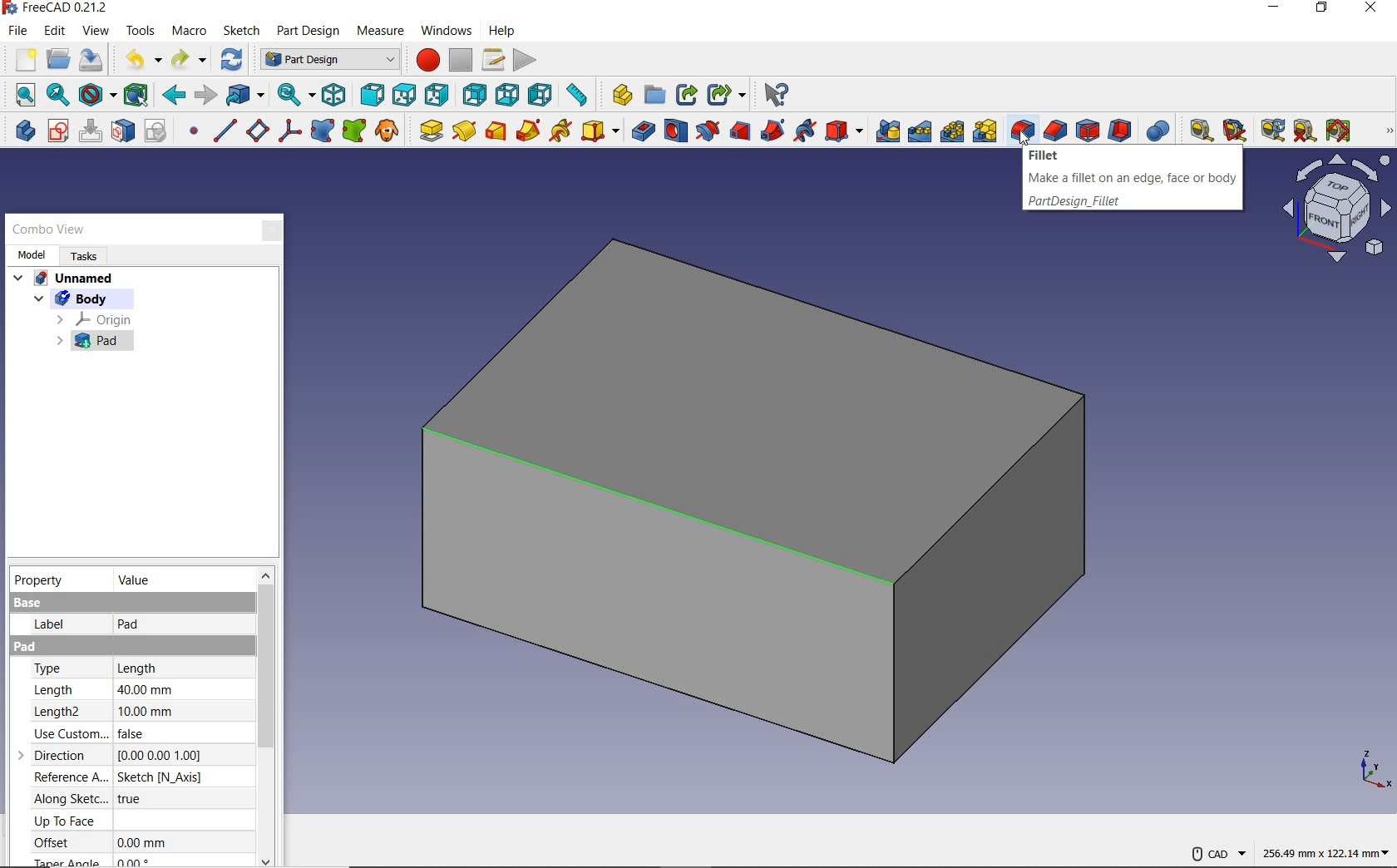 The width and height of the screenshot is (1397, 868). Describe the element at coordinates (175, 96) in the screenshot. I see `back` at that location.